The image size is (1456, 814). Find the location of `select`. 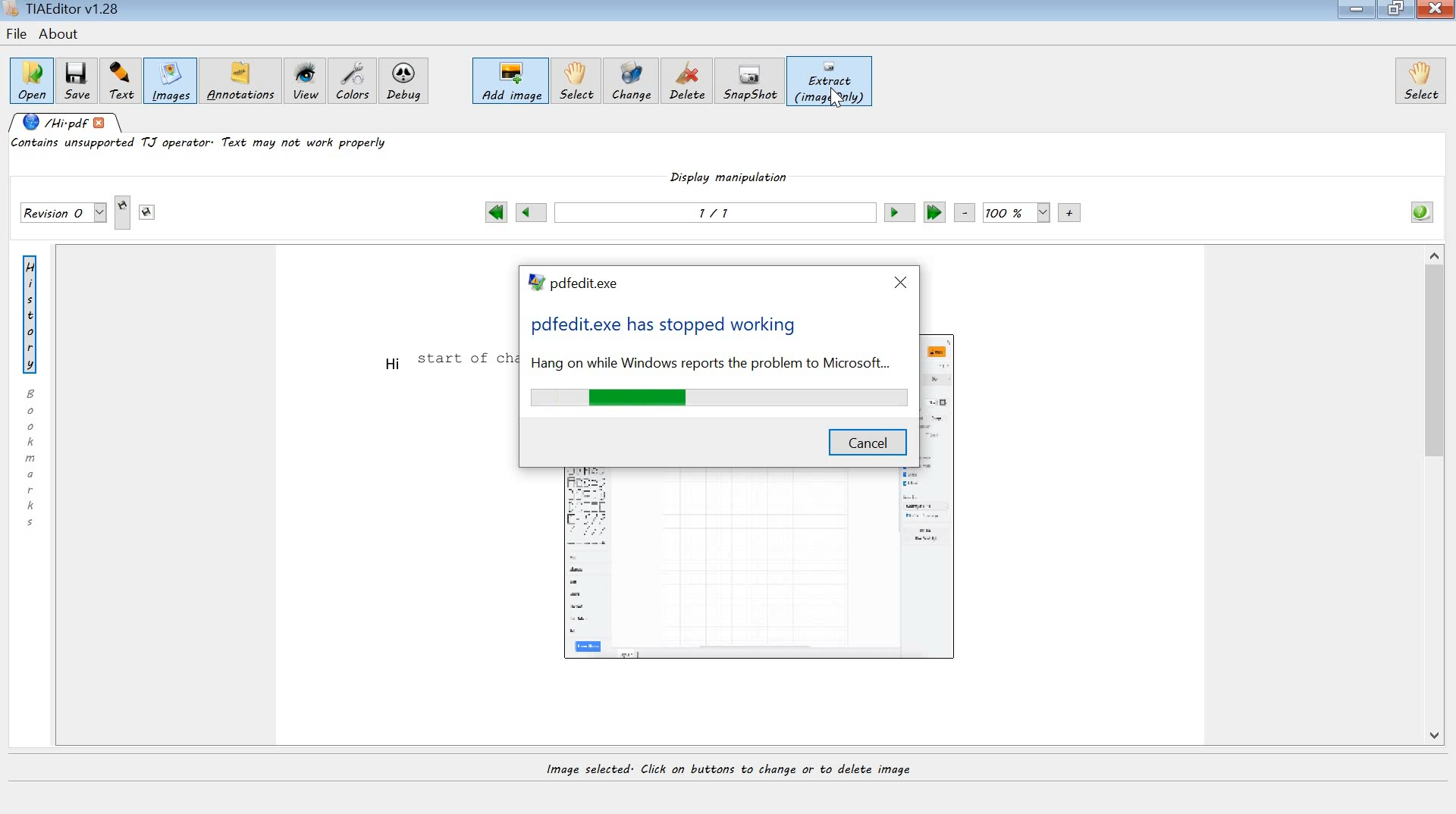

select is located at coordinates (576, 82).